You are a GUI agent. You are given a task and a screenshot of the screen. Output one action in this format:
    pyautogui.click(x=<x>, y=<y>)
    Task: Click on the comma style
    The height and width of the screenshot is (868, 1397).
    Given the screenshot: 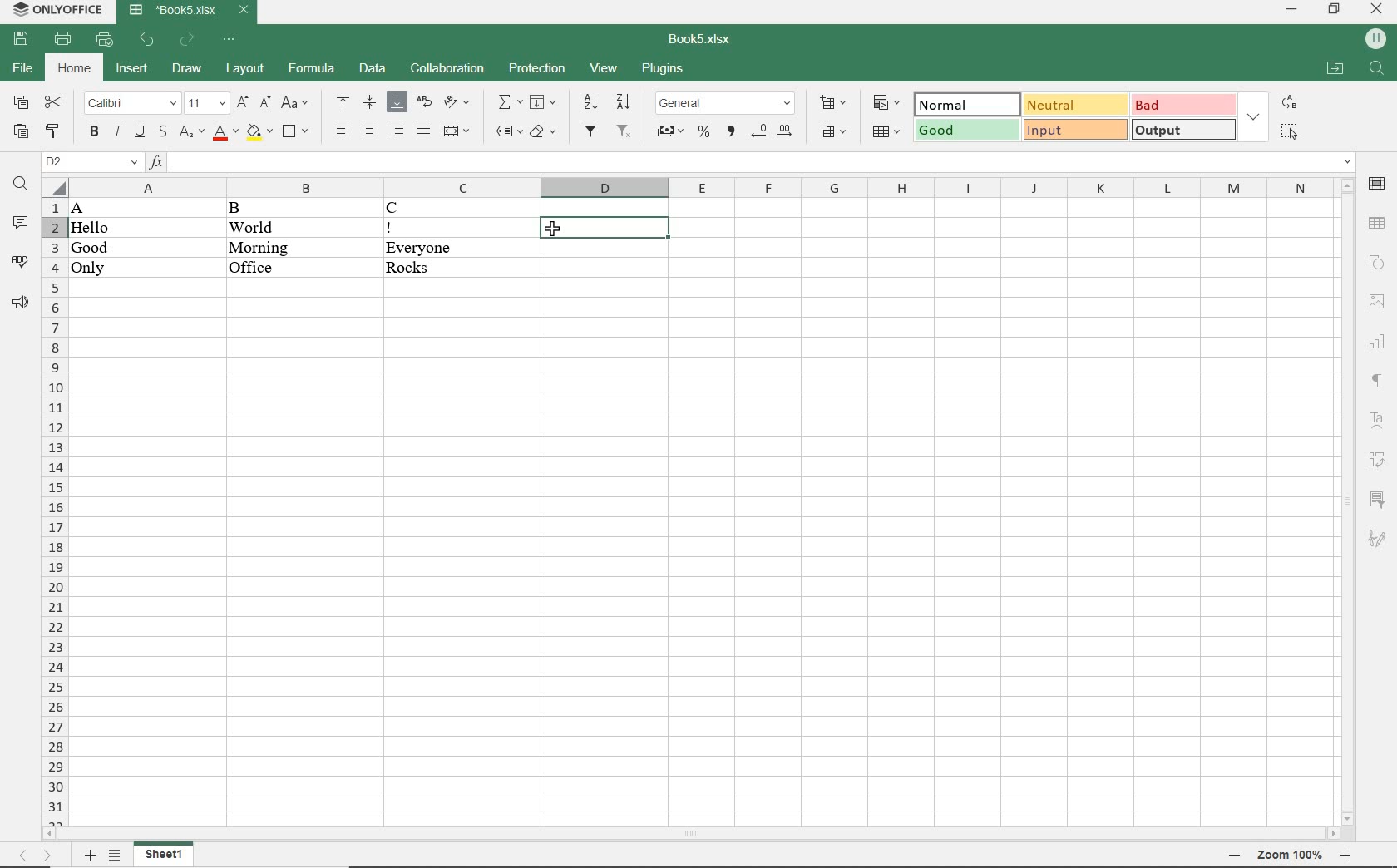 What is the action you would take?
    pyautogui.click(x=731, y=133)
    